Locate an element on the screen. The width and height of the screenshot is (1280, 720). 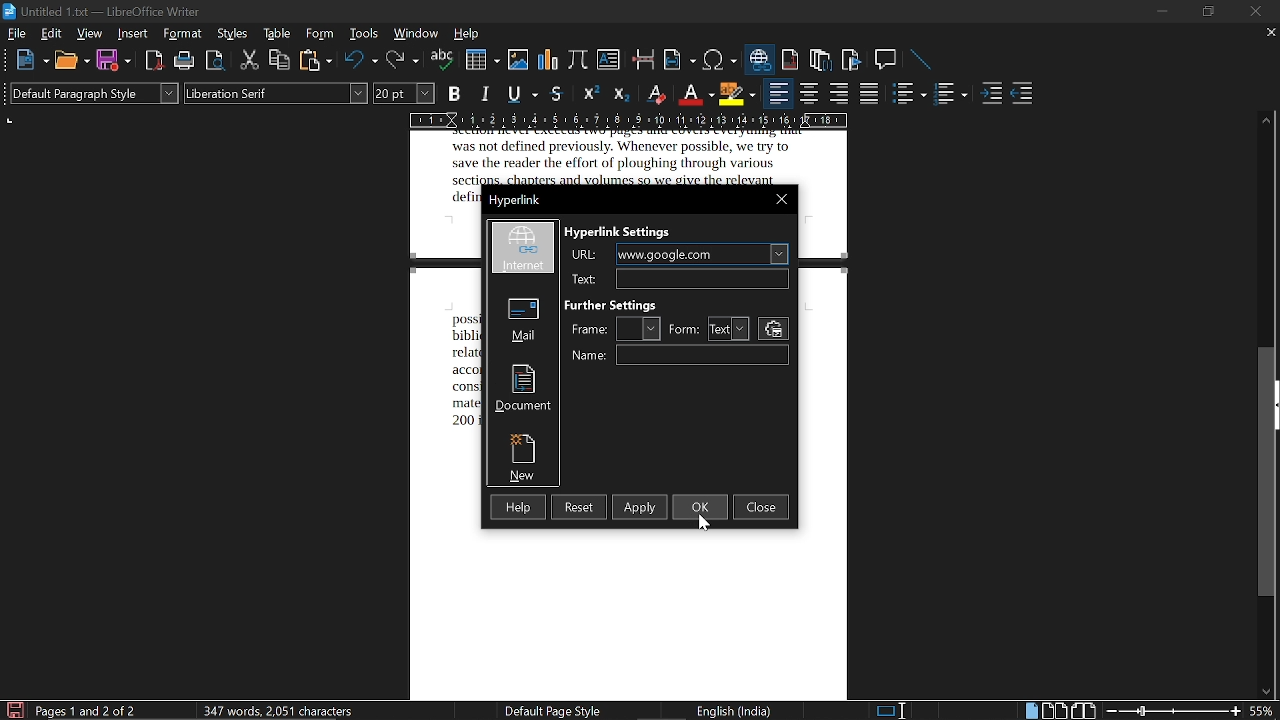
help is located at coordinates (466, 34).